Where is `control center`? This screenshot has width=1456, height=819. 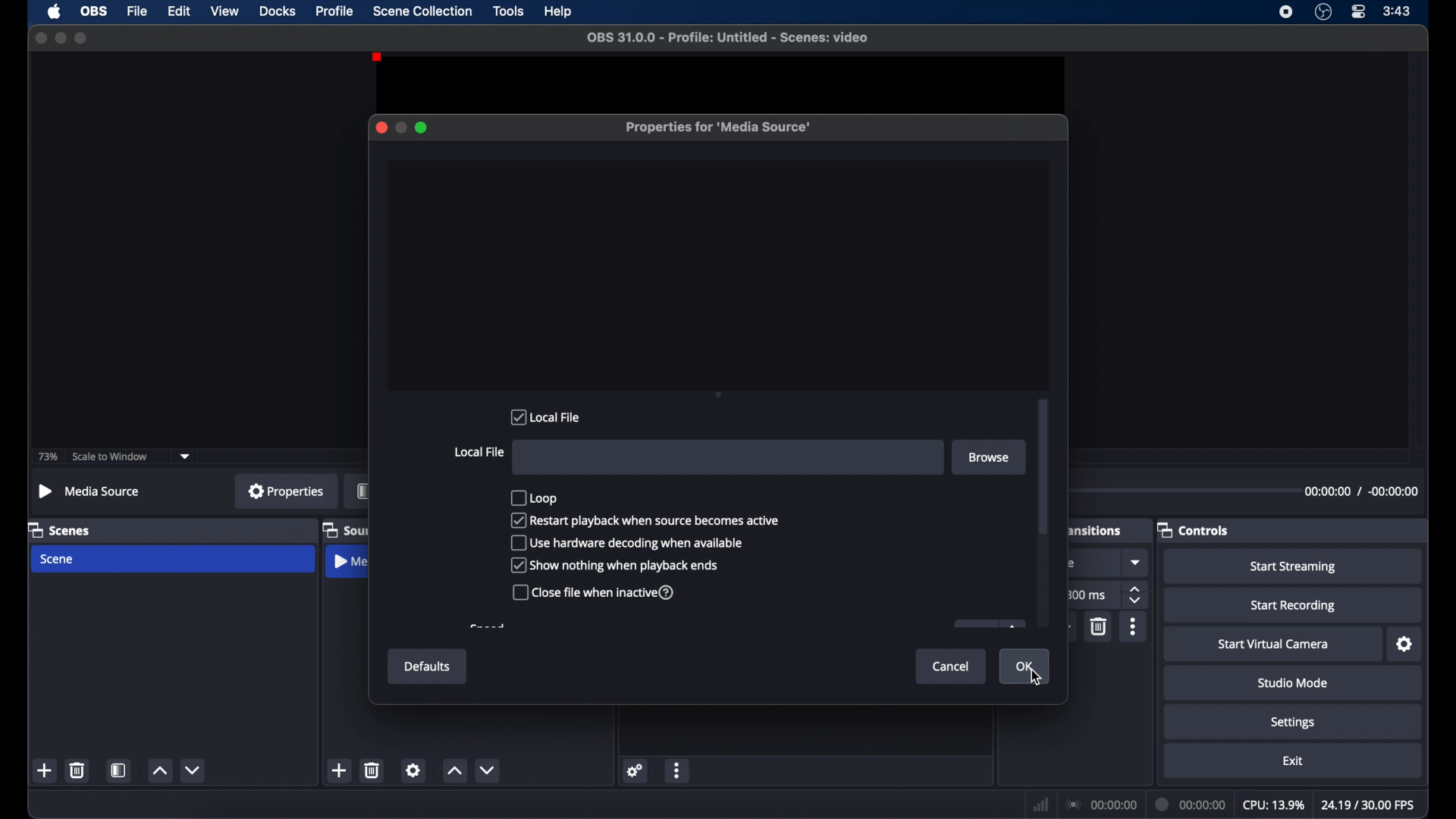 control center is located at coordinates (1357, 11).